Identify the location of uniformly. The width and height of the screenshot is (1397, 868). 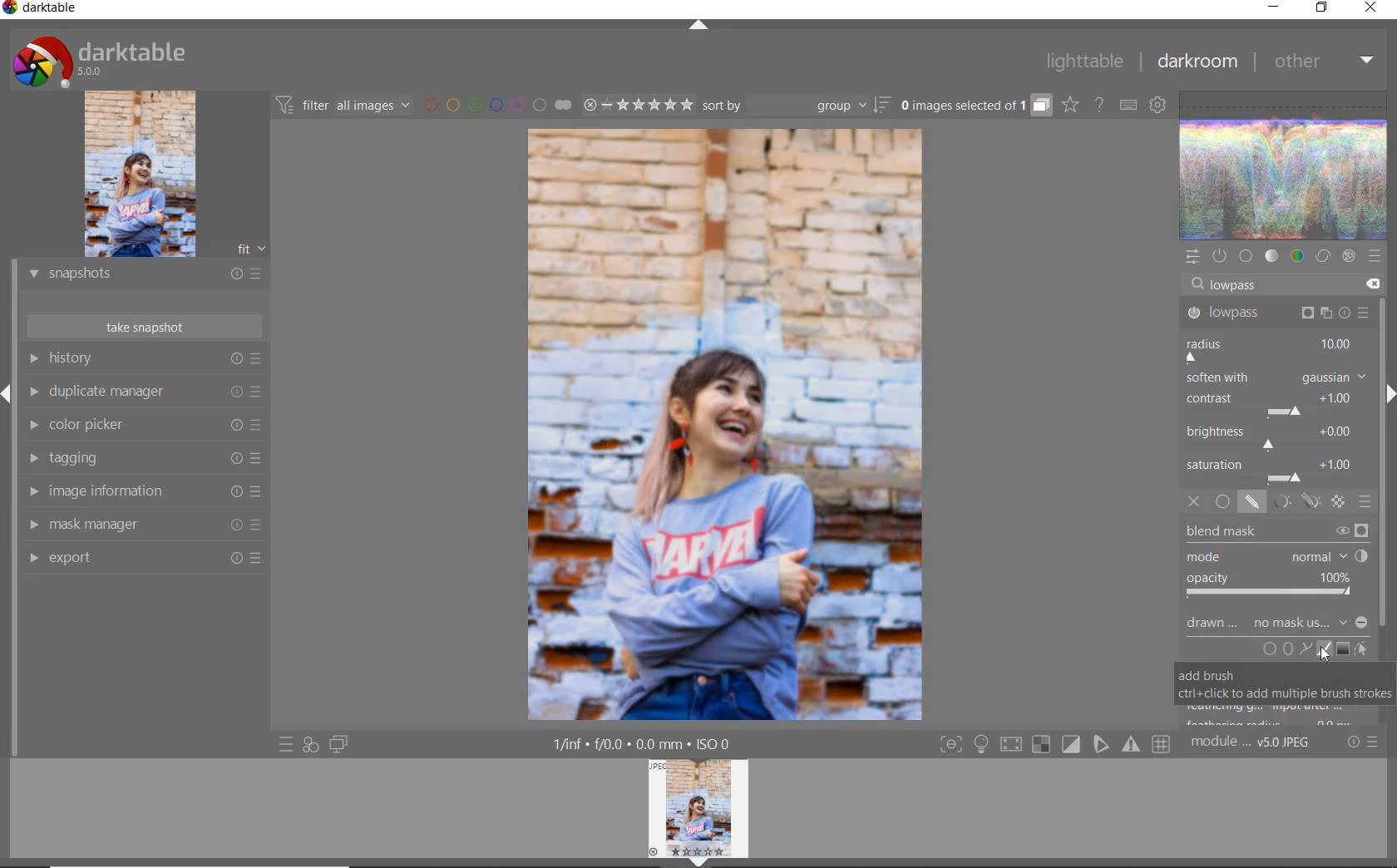
(1222, 502).